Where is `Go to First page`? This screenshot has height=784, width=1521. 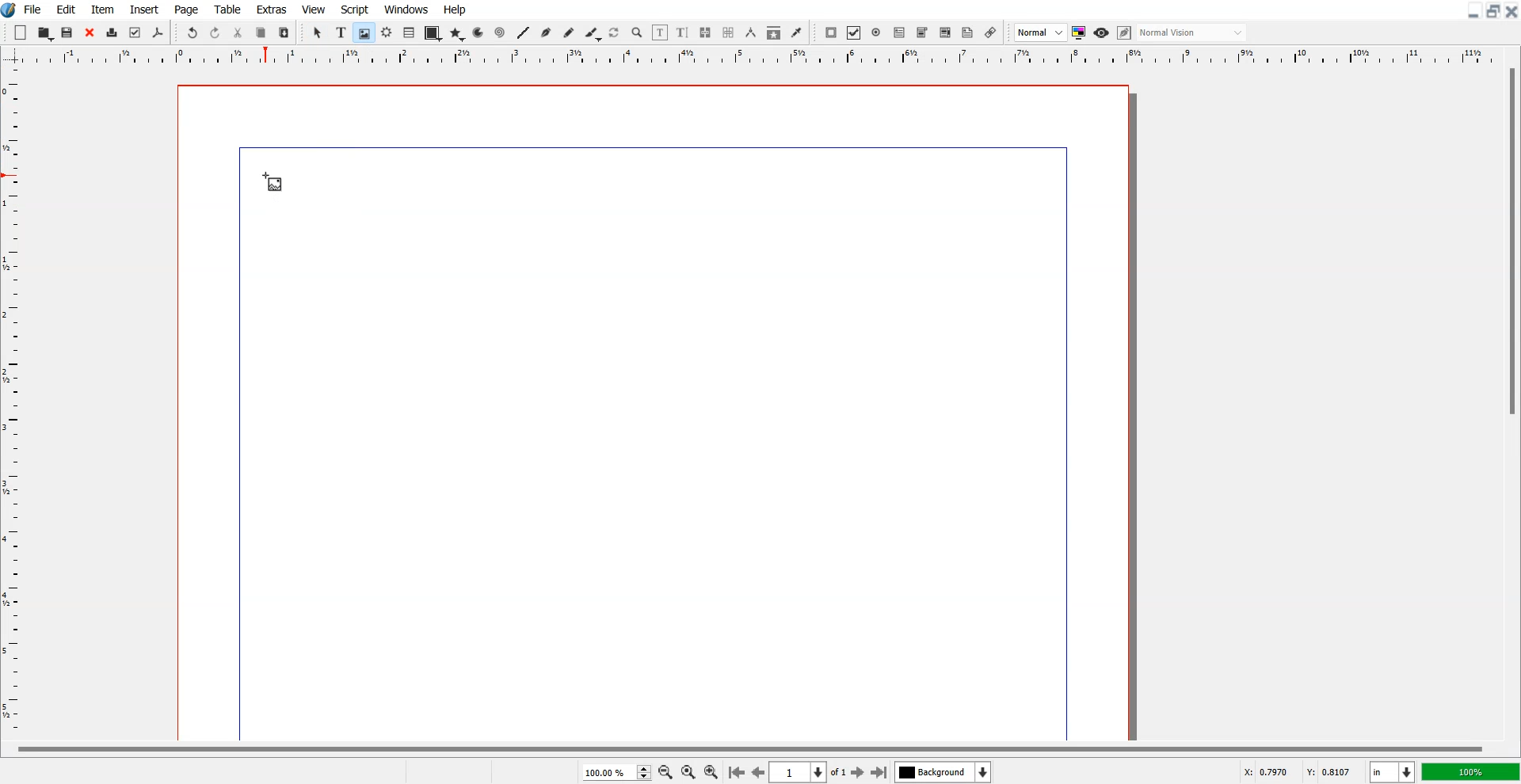 Go to First page is located at coordinates (737, 771).